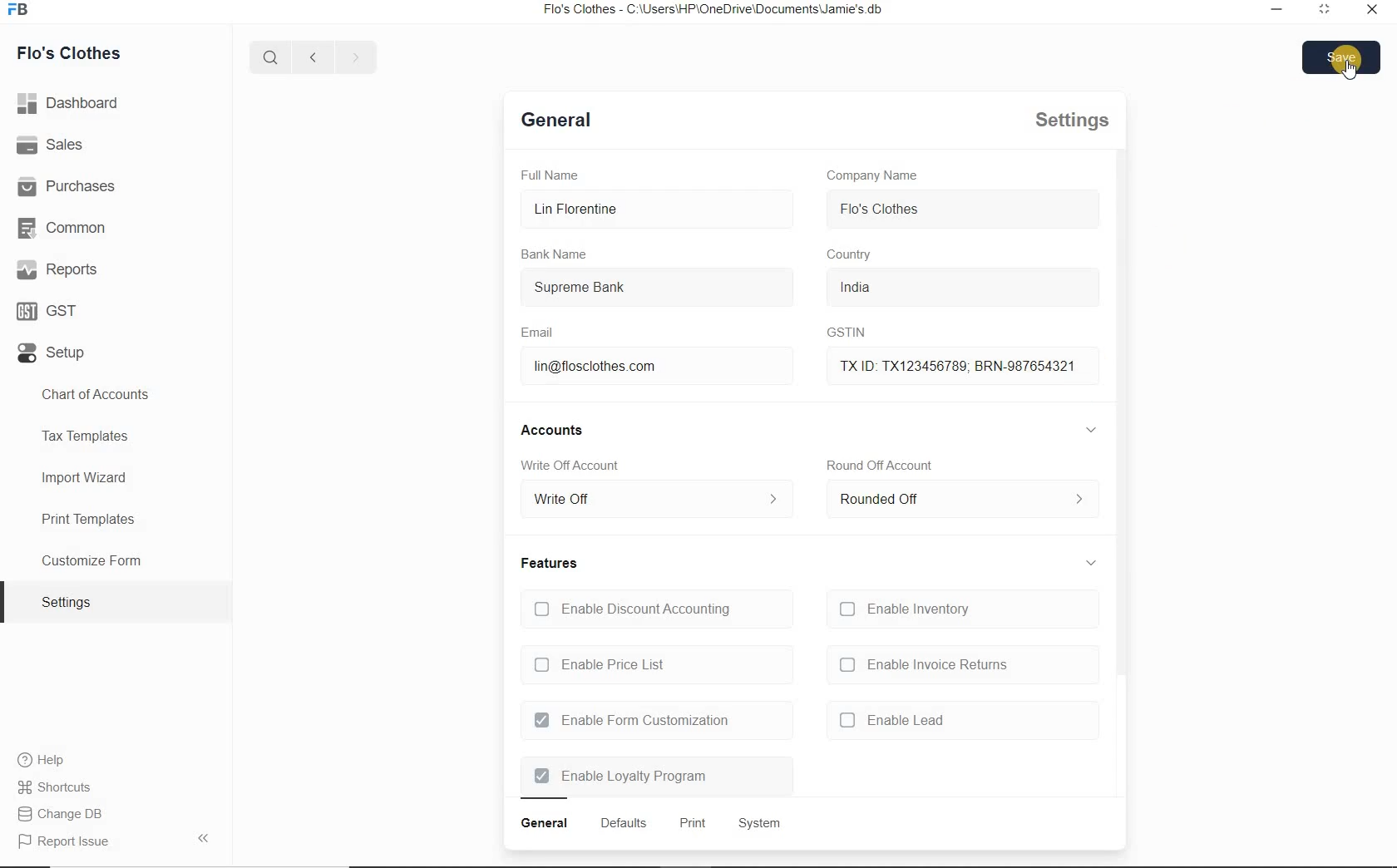 The image size is (1397, 868). I want to click on Enable Loyalty Program, so click(621, 777).